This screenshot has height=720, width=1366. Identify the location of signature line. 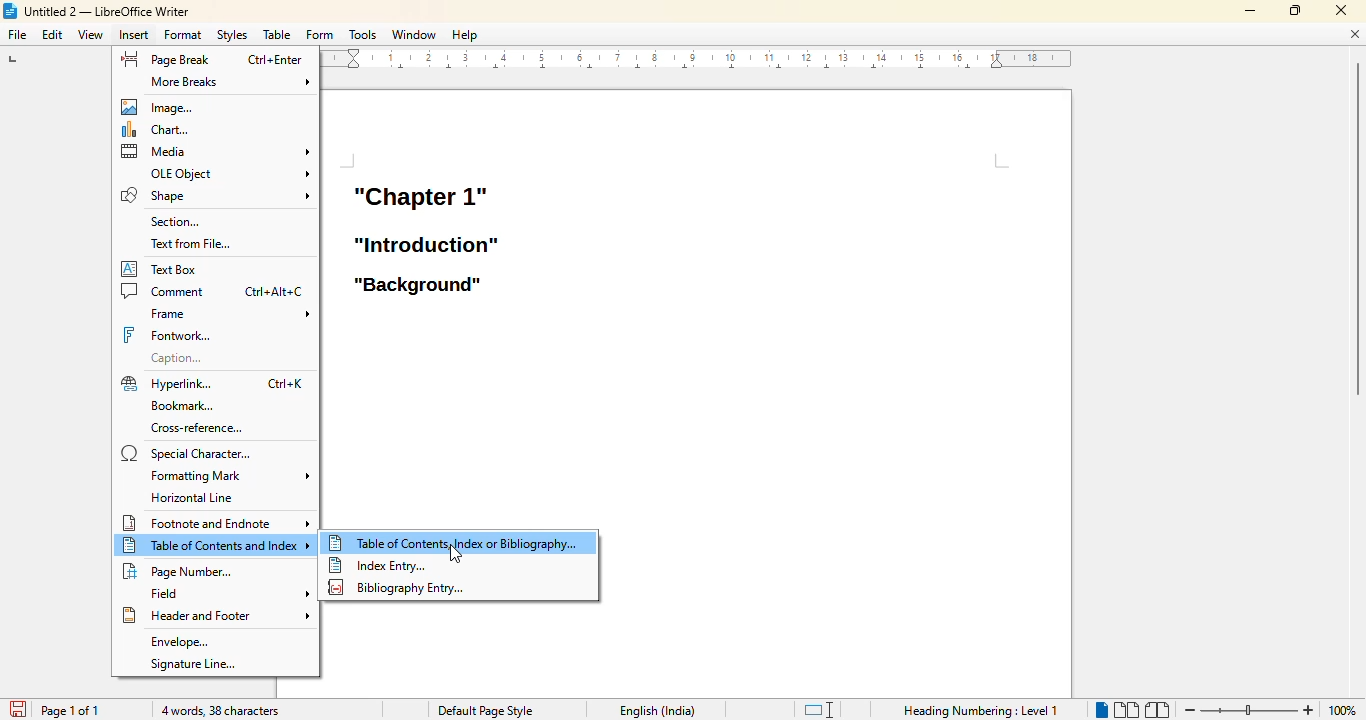
(194, 664).